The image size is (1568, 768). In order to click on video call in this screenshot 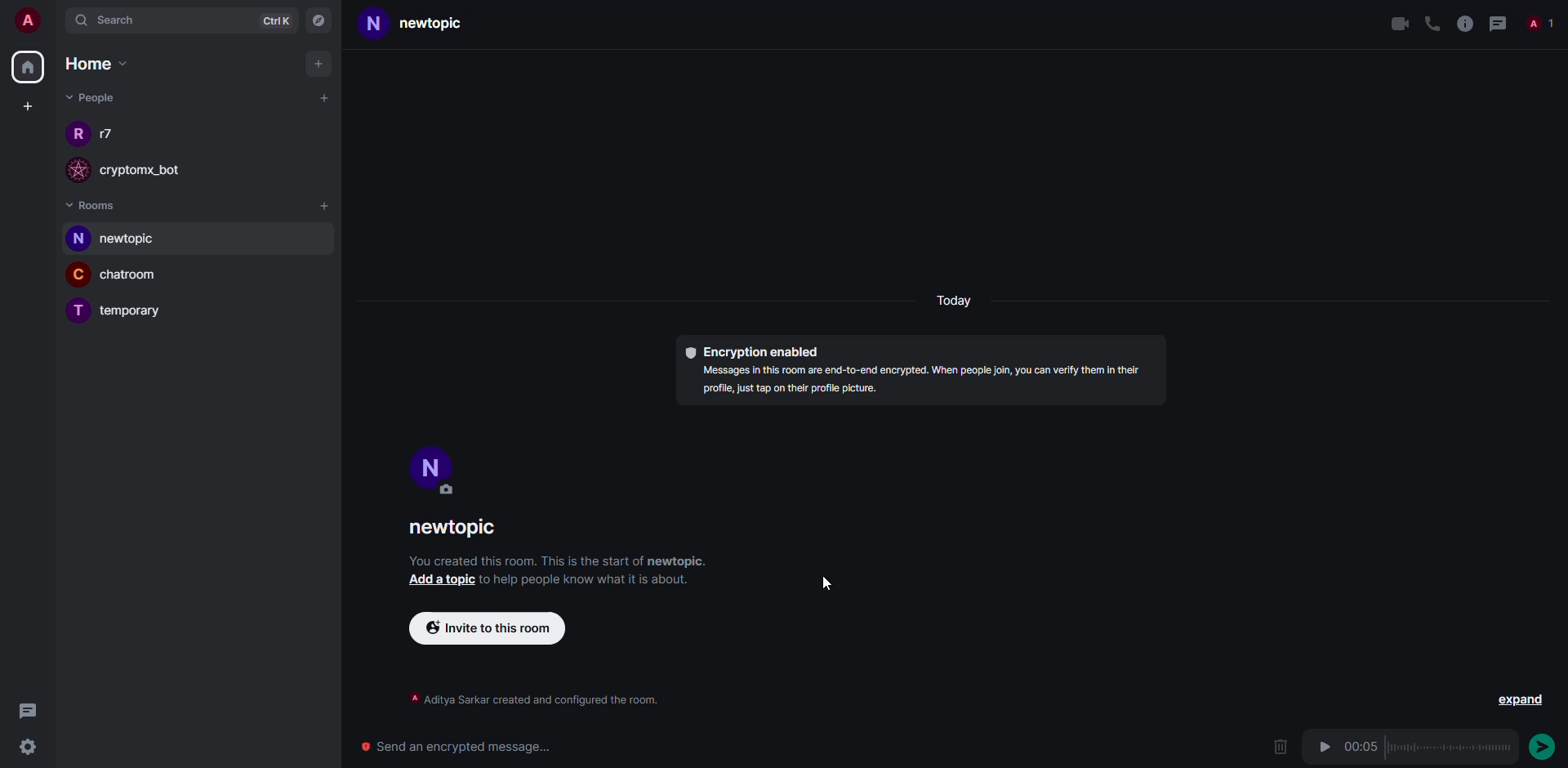, I will do `click(1398, 24)`.